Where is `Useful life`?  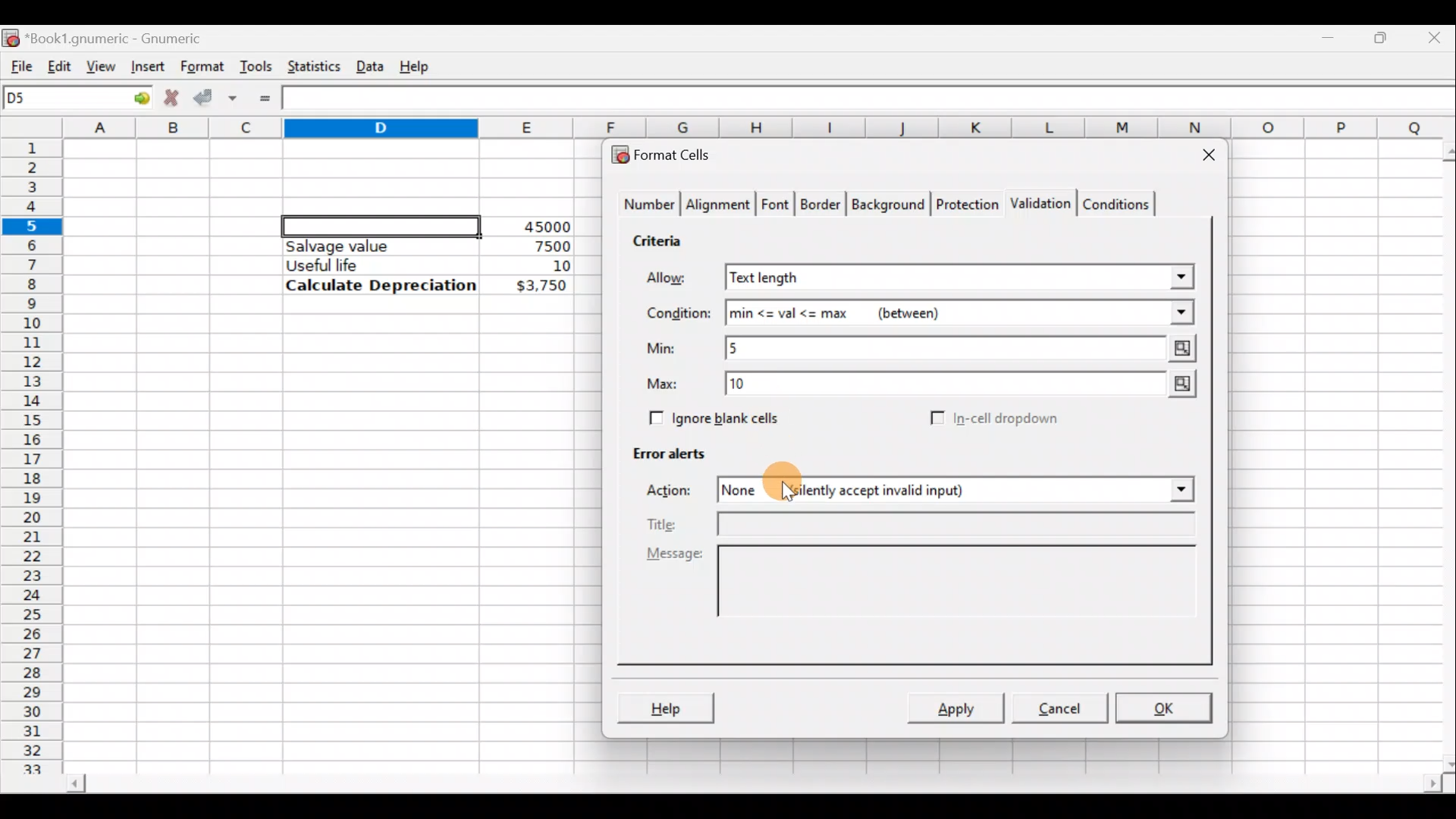 Useful life is located at coordinates (372, 265).